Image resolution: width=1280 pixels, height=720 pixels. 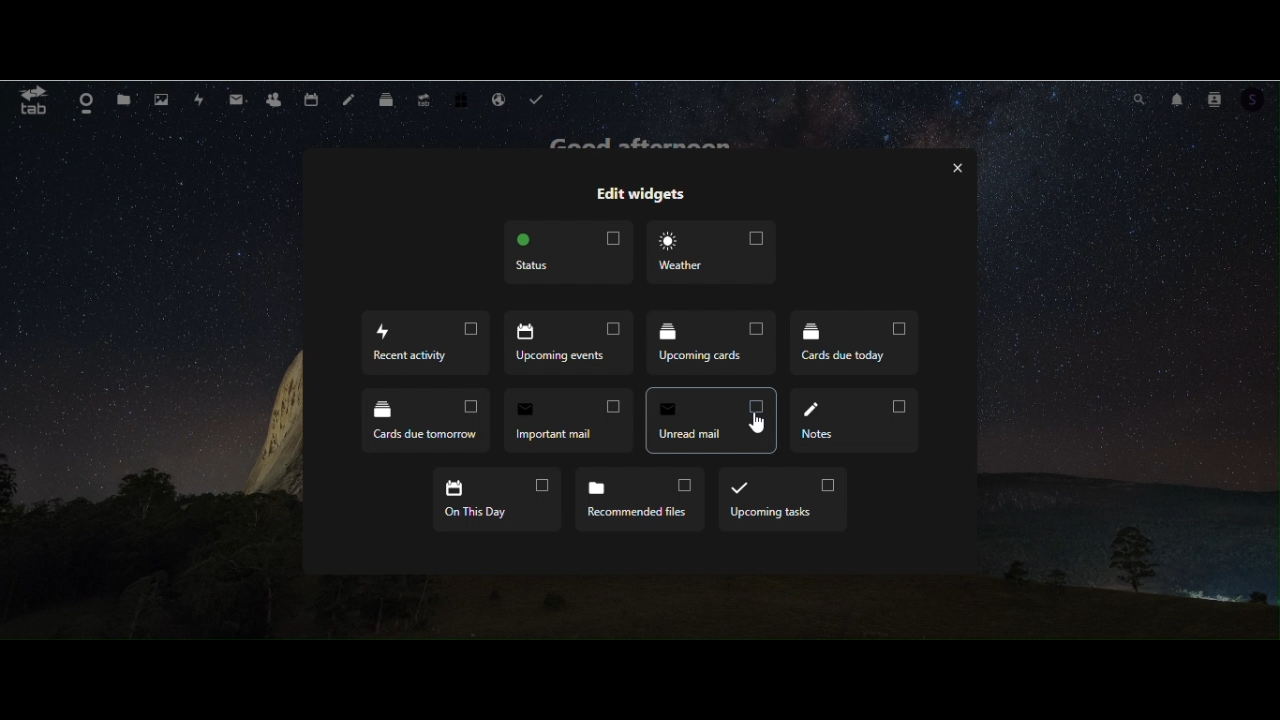 I want to click on calendar, so click(x=310, y=99).